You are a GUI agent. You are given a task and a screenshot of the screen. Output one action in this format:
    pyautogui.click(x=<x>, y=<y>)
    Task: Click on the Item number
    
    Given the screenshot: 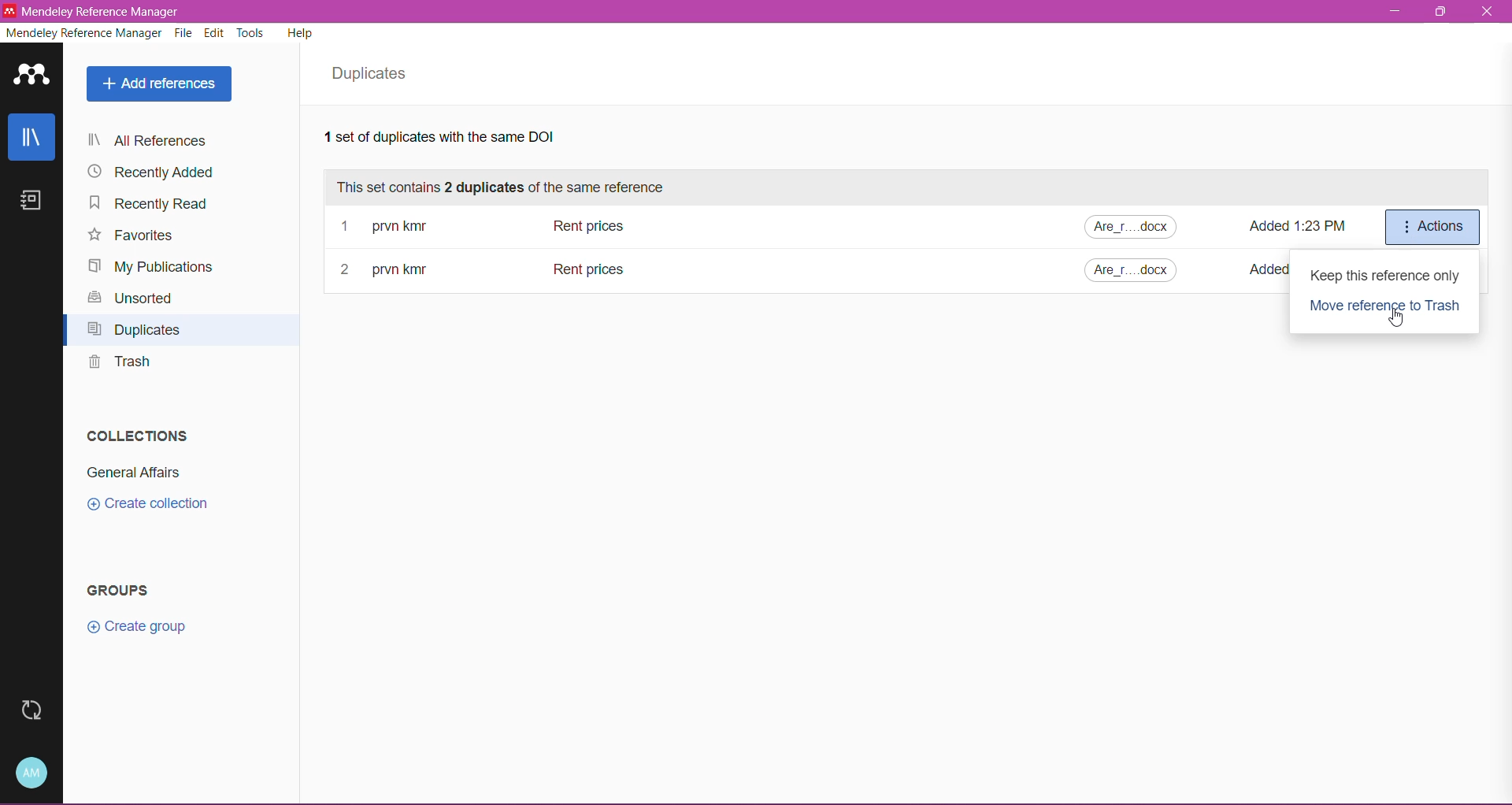 What is the action you would take?
    pyautogui.click(x=346, y=227)
    